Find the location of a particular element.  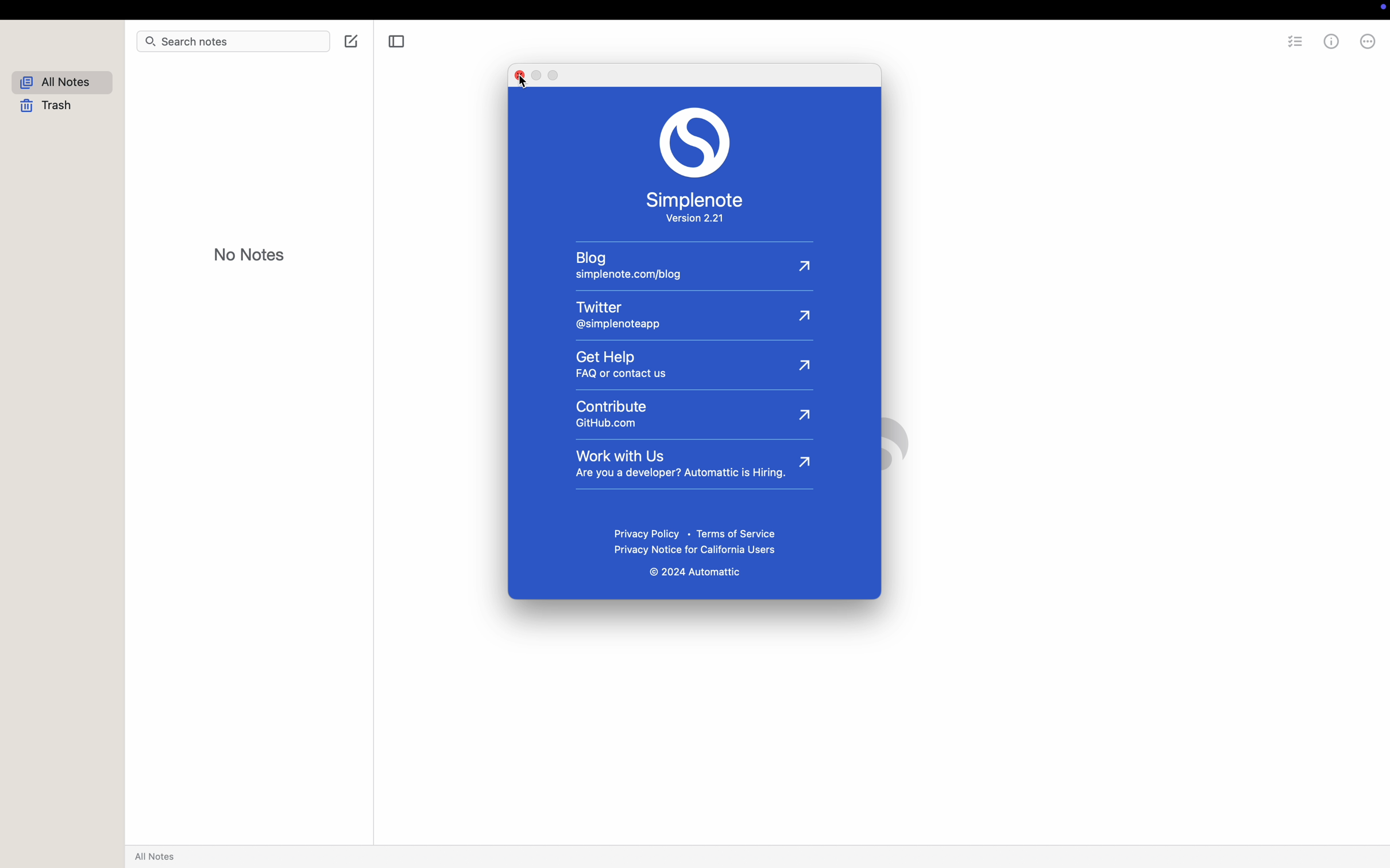

Simplenote logo is located at coordinates (882, 444).